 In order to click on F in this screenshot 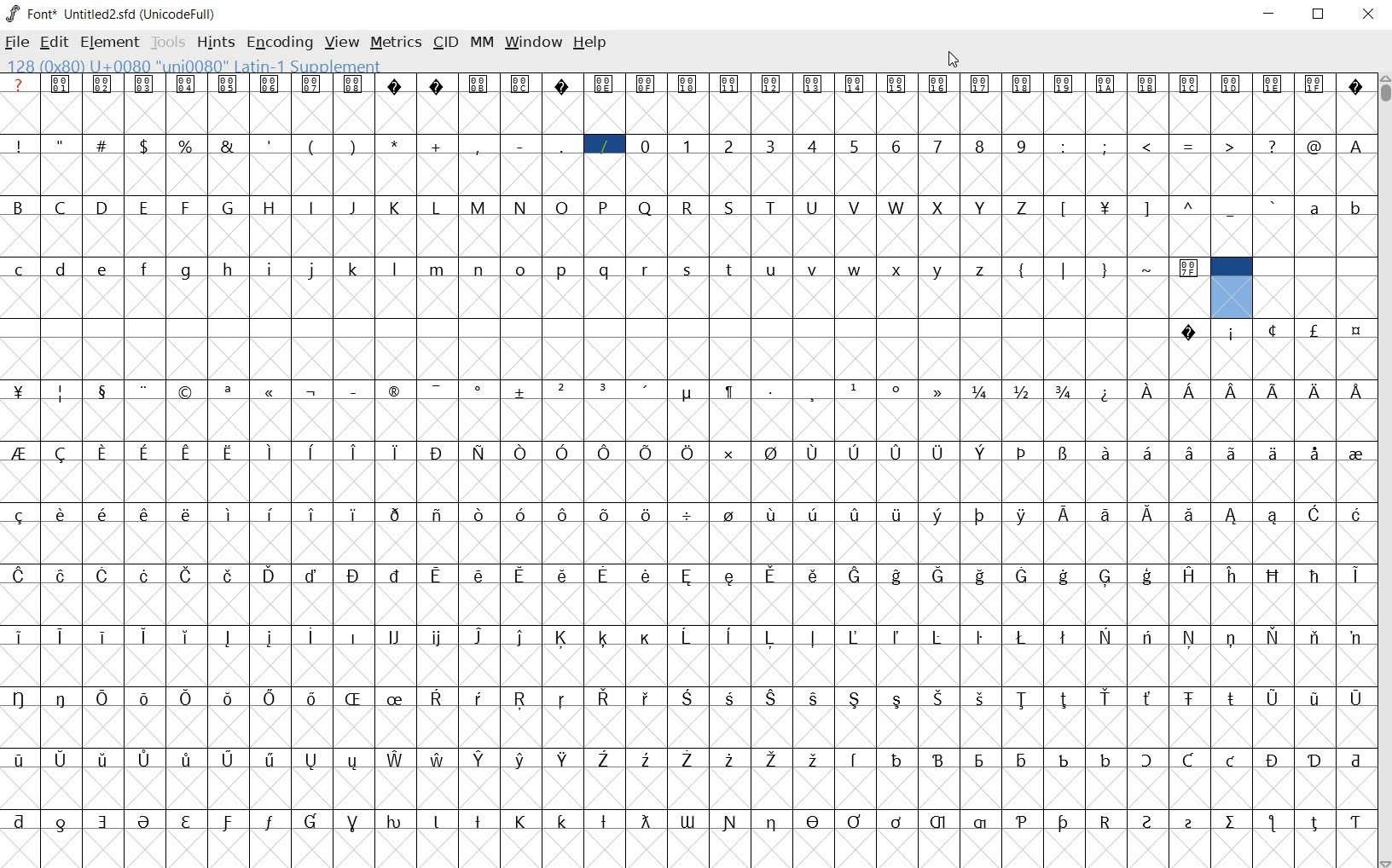, I will do `click(188, 206)`.